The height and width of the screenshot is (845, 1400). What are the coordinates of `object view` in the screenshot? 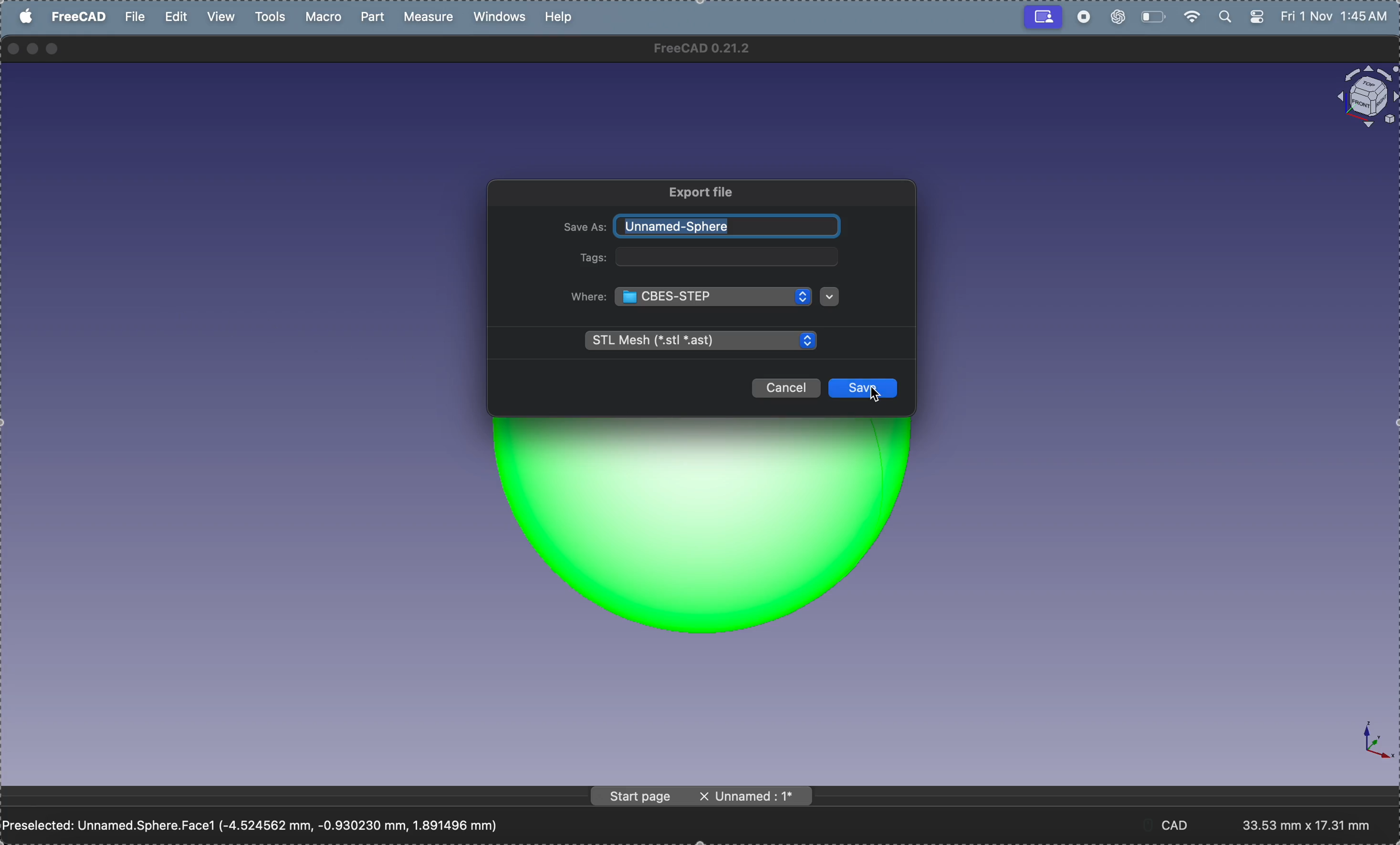 It's located at (1360, 97).